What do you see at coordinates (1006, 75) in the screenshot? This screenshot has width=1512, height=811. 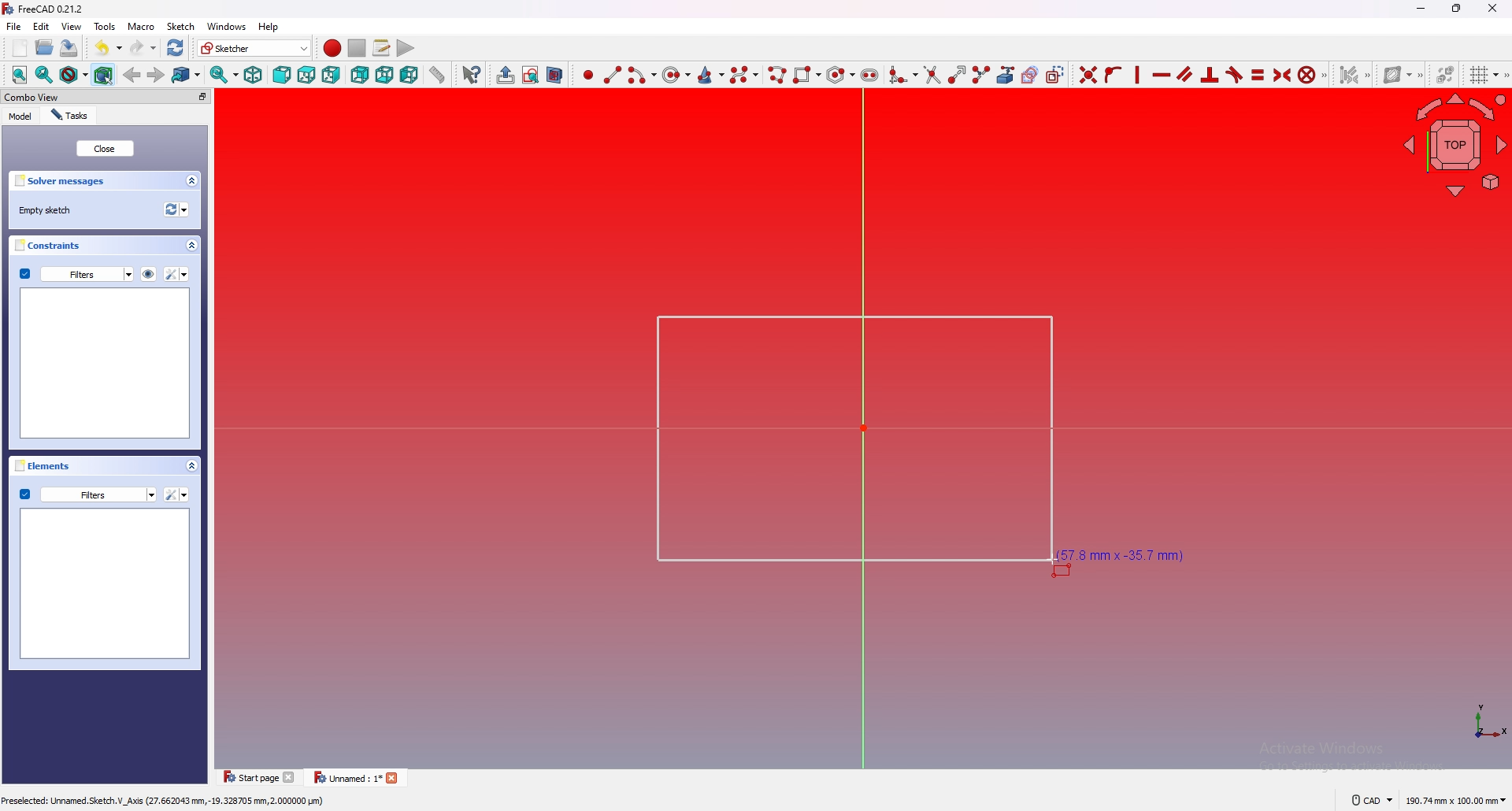 I see `create external geometry` at bounding box center [1006, 75].